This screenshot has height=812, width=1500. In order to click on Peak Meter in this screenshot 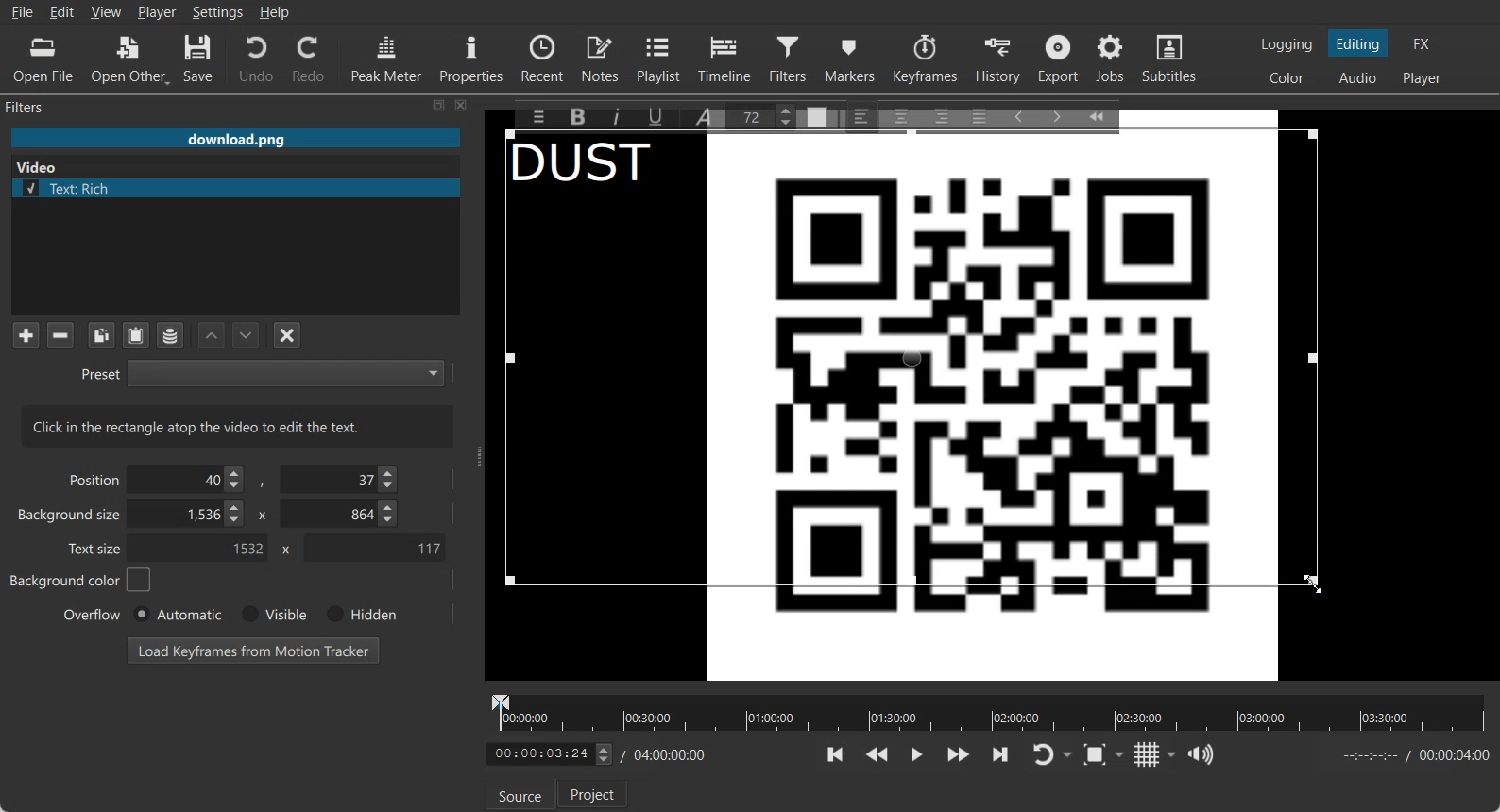, I will do `click(387, 58)`.